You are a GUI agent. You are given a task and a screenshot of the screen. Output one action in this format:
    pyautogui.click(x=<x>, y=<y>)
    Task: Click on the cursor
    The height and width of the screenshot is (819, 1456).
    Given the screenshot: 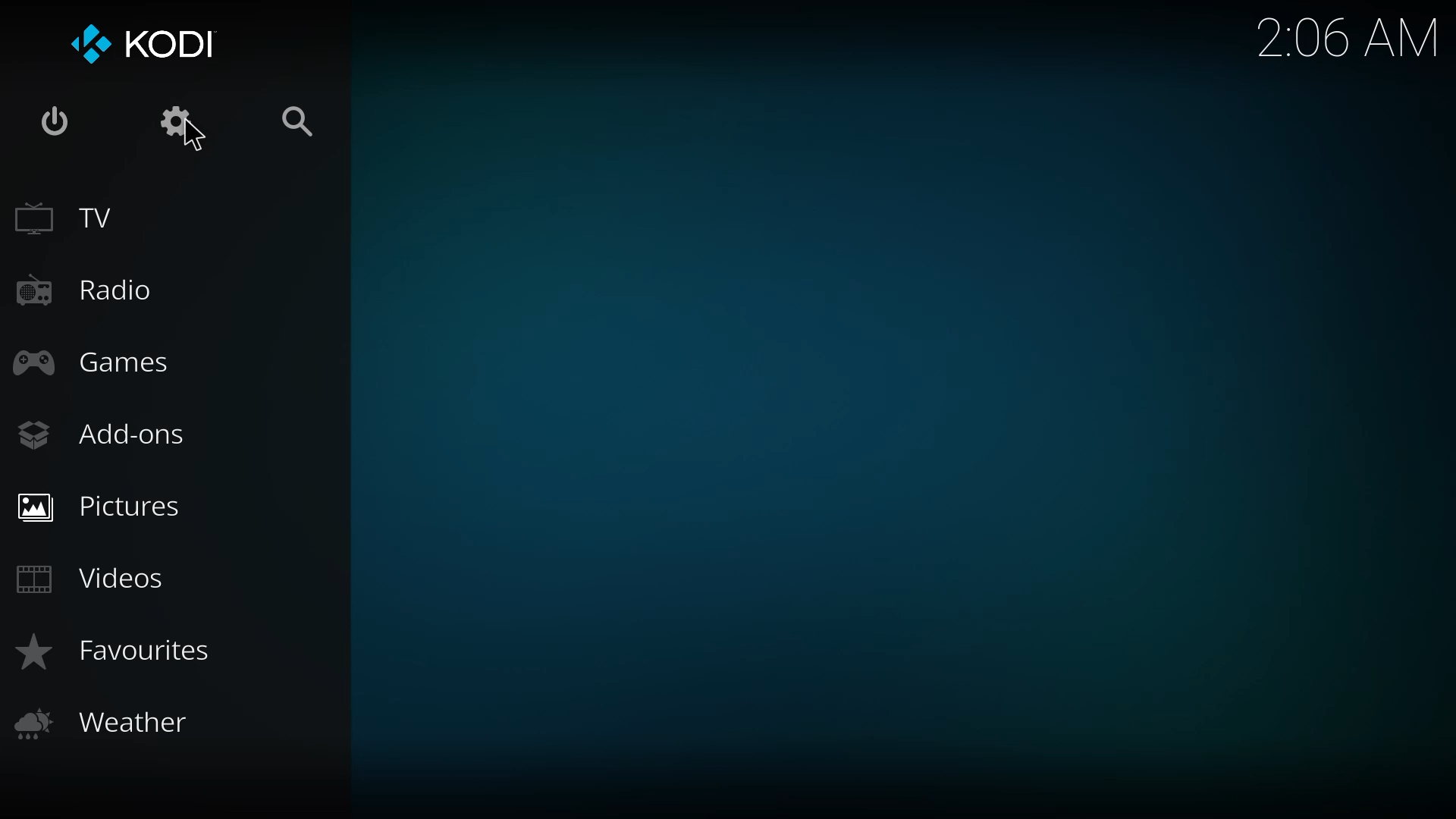 What is the action you would take?
    pyautogui.click(x=196, y=137)
    